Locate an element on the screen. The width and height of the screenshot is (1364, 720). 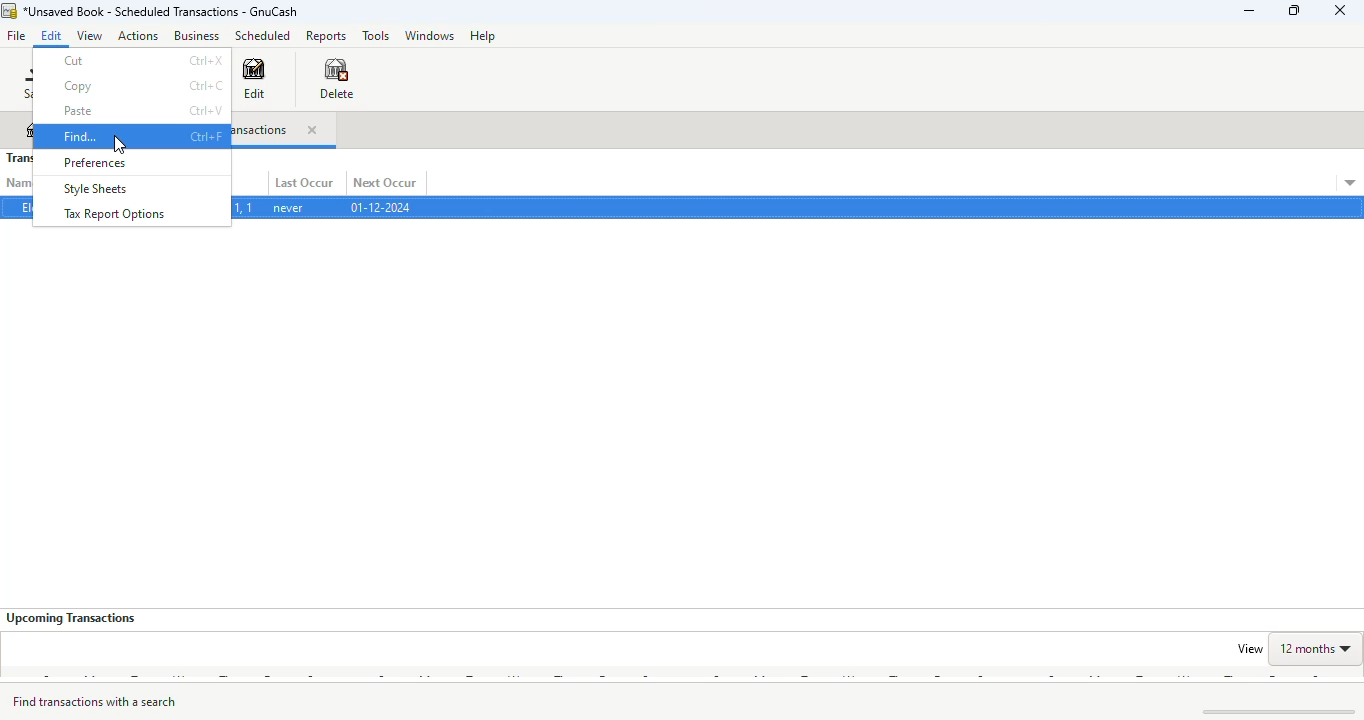
preferences is located at coordinates (94, 164).